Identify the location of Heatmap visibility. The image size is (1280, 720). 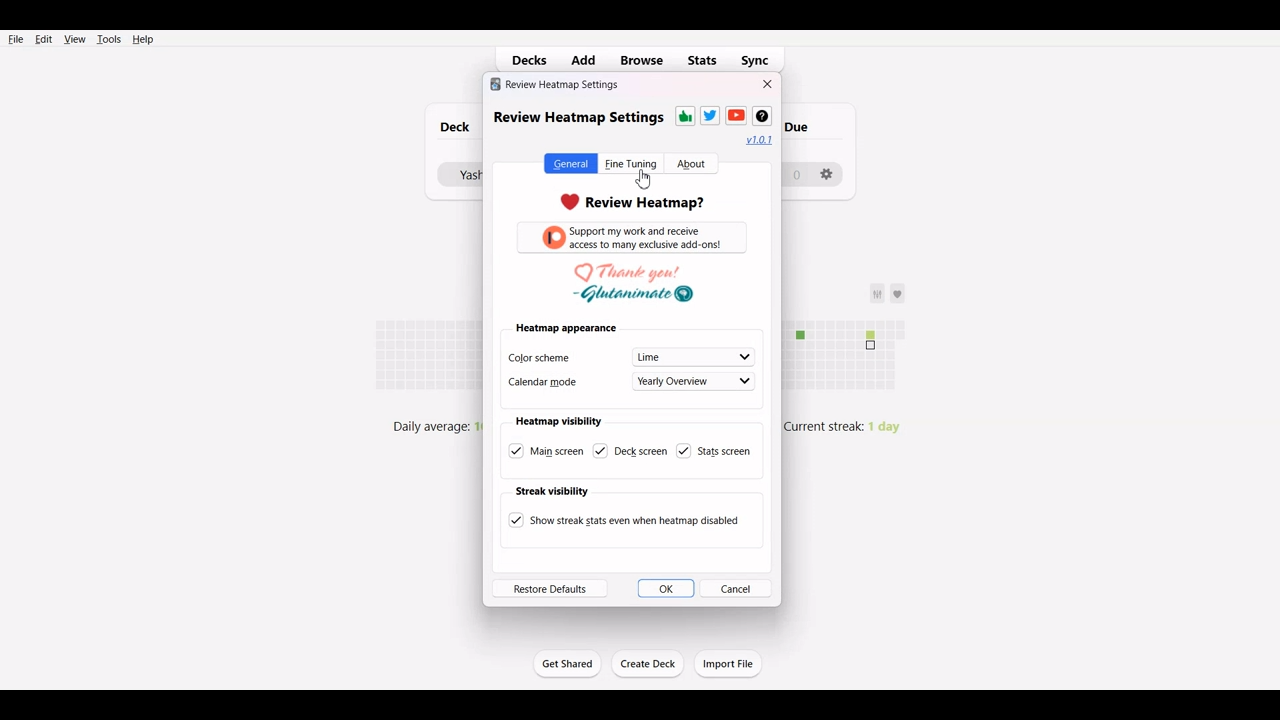
(559, 421).